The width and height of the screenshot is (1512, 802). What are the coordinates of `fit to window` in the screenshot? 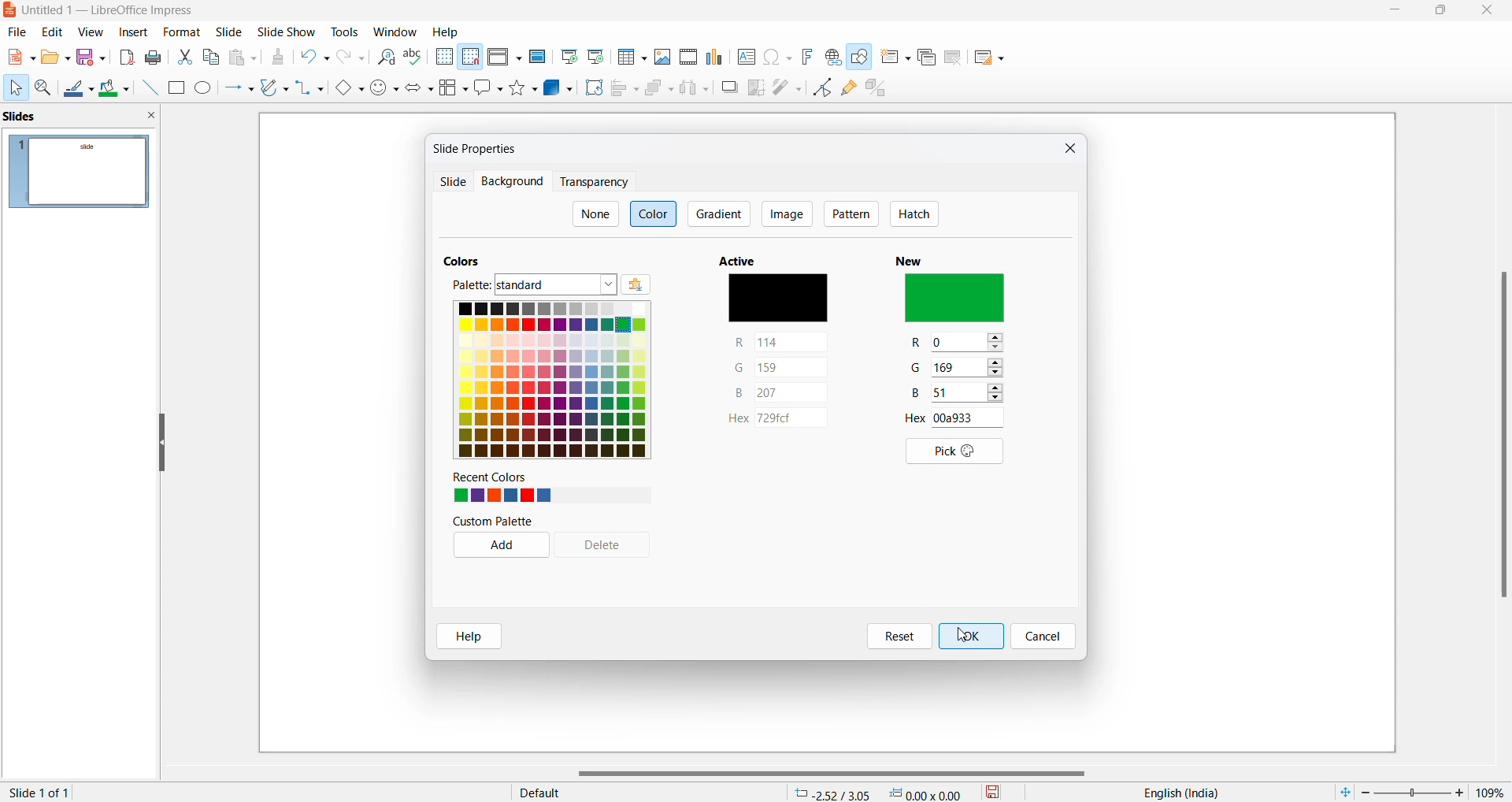 It's located at (1344, 790).